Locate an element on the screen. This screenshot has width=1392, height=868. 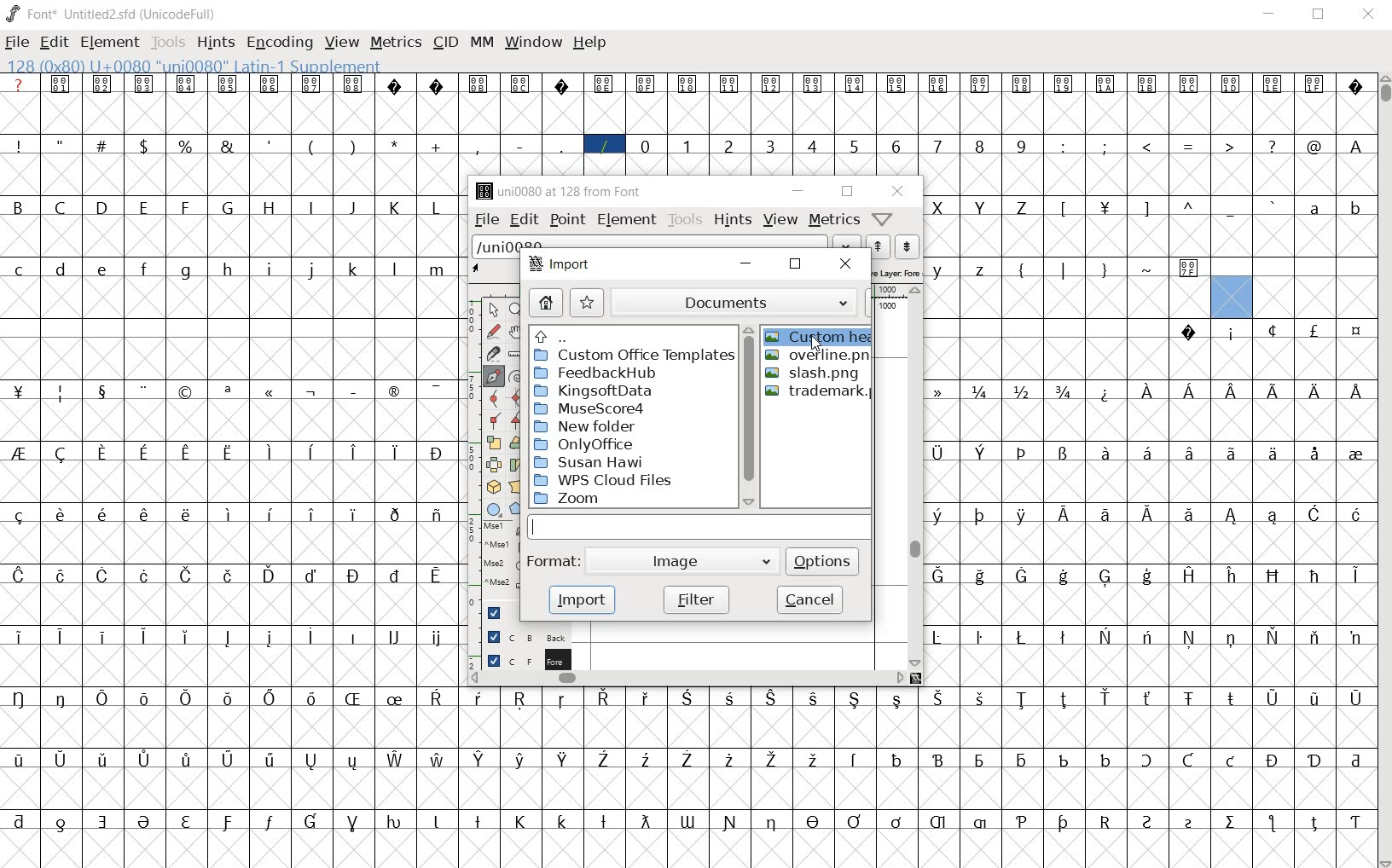
glyph is located at coordinates (1273, 516).